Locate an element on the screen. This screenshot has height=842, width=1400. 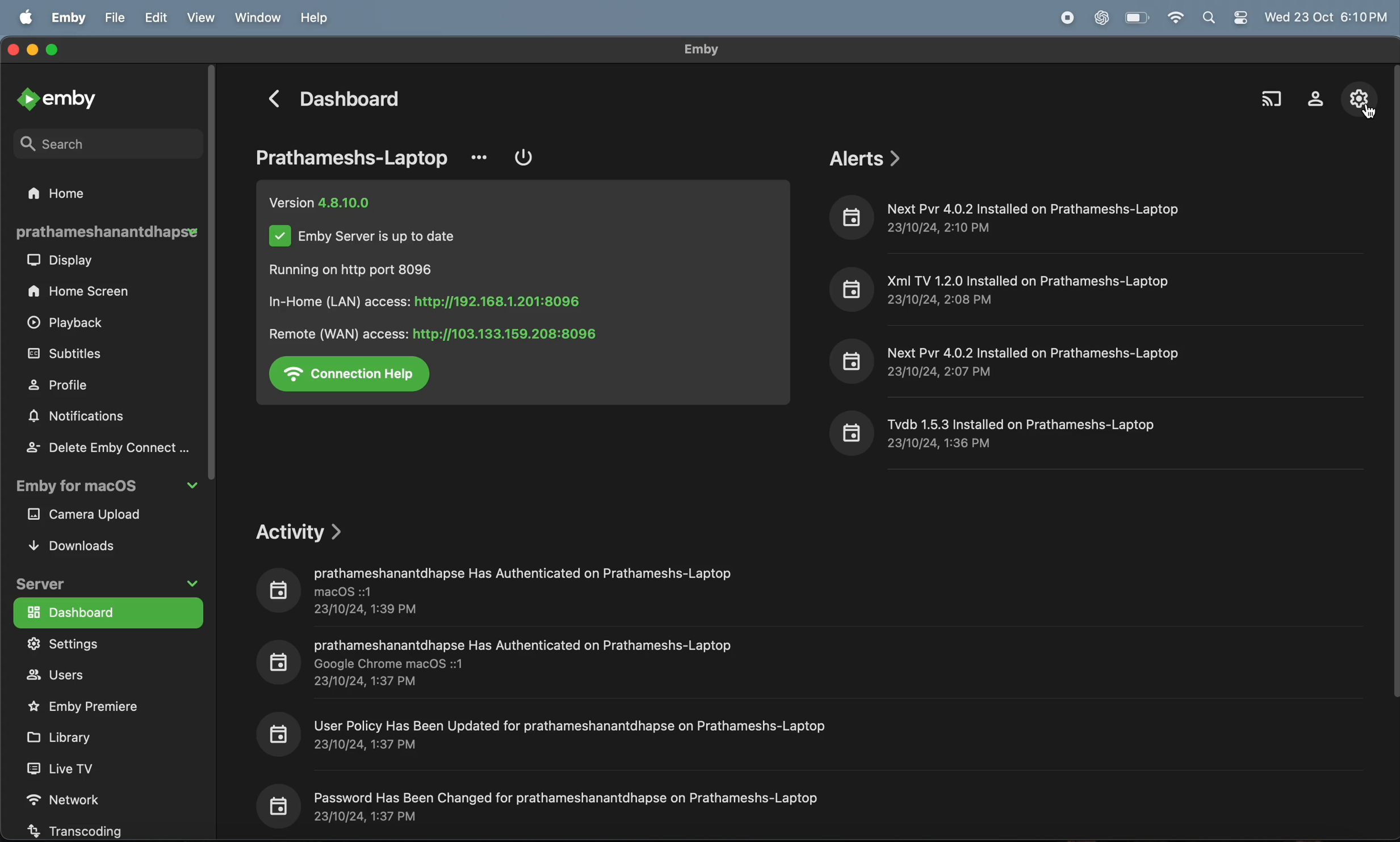
chatgpt is located at coordinates (1097, 18).